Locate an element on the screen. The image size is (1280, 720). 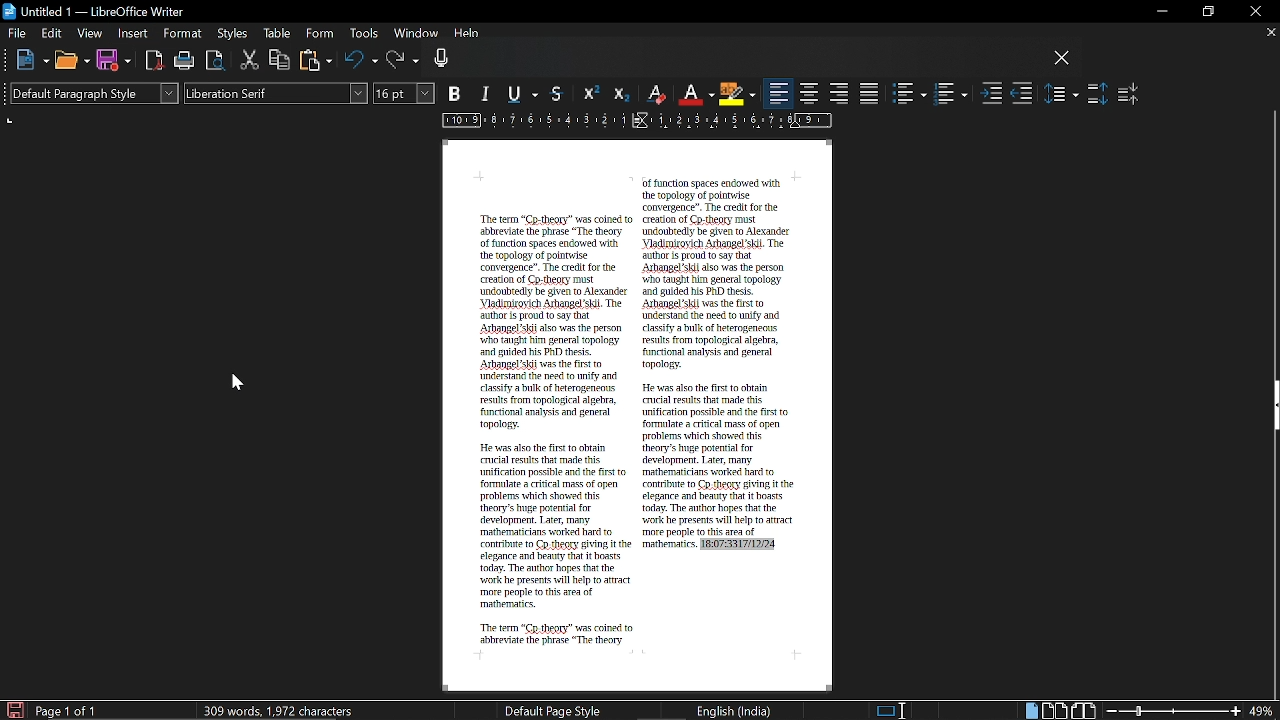
Insert is located at coordinates (134, 34).